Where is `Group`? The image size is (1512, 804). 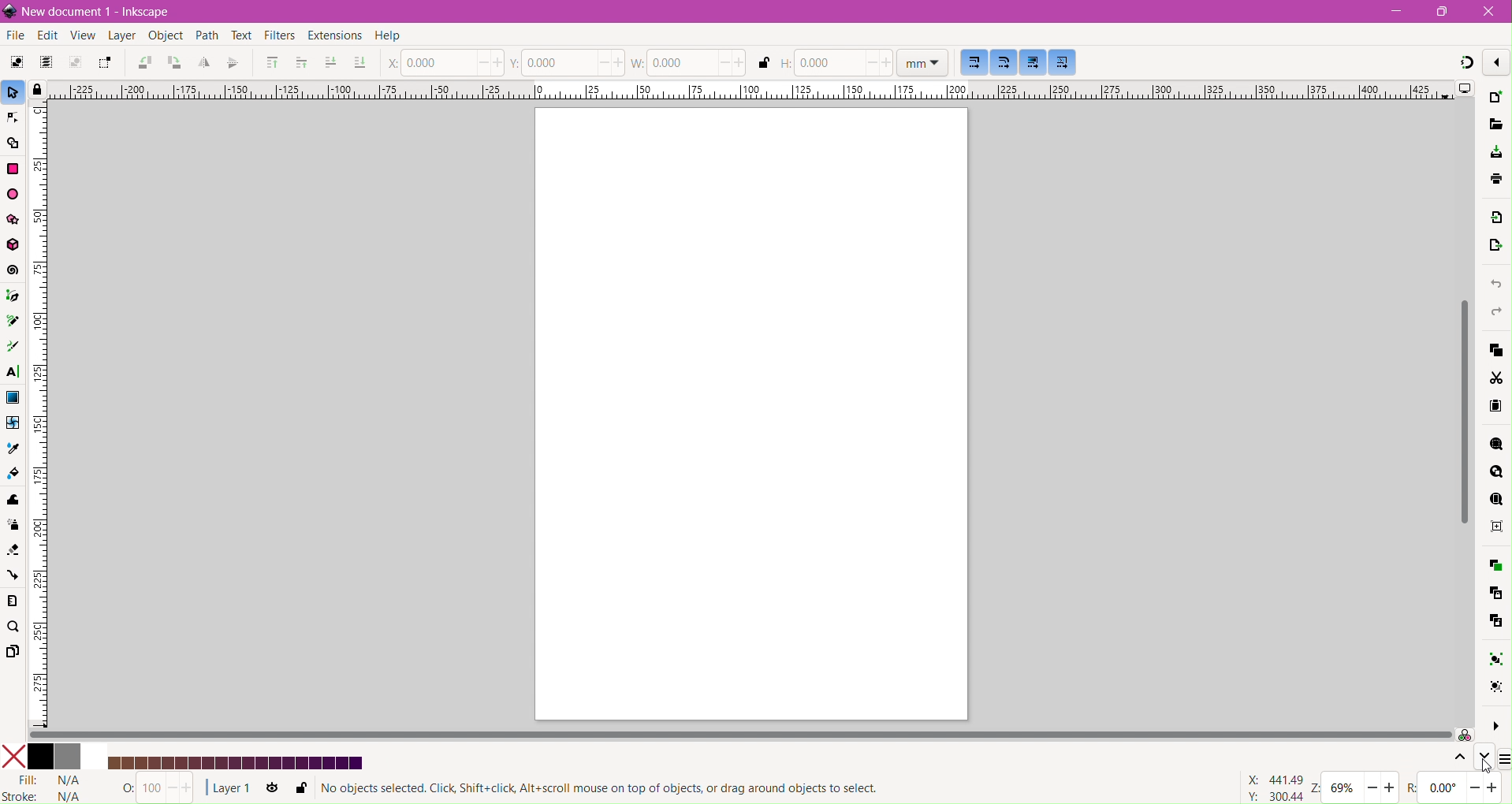
Group is located at coordinates (1492, 657).